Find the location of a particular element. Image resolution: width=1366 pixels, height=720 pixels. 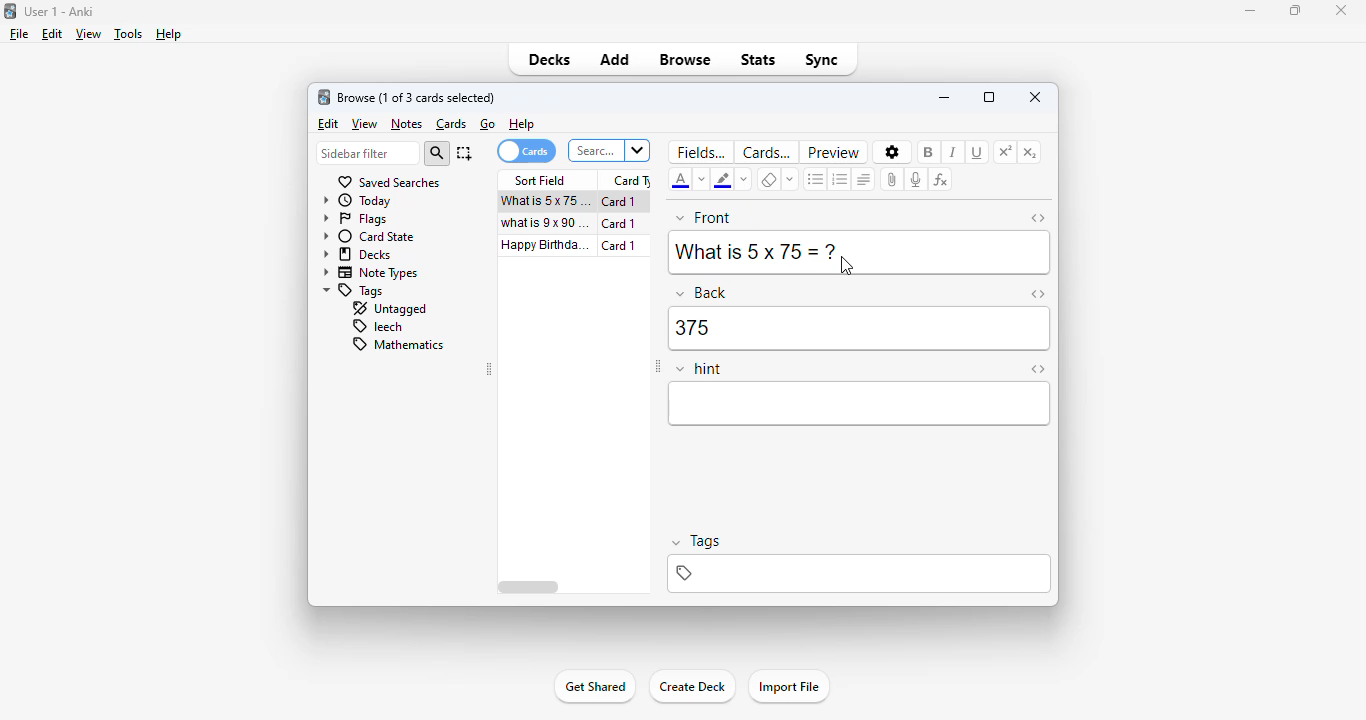

minimize is located at coordinates (944, 98).